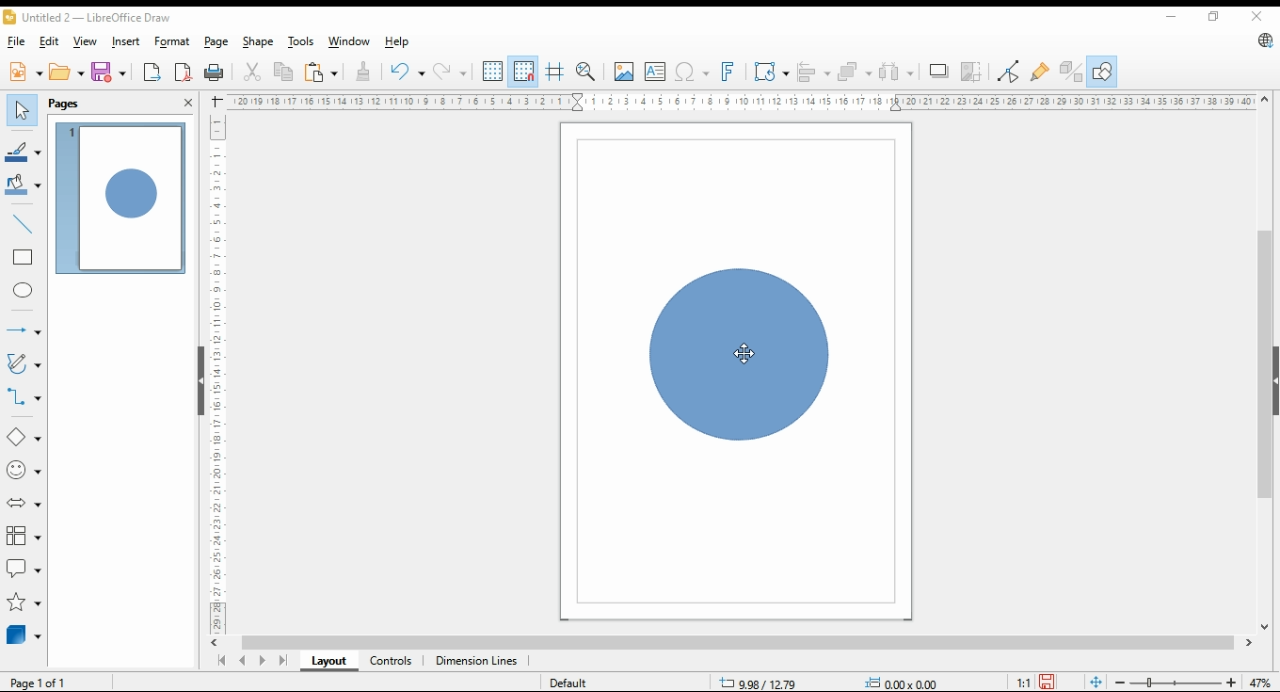 Image resolution: width=1280 pixels, height=692 pixels. I want to click on show draw functions, so click(1102, 72).